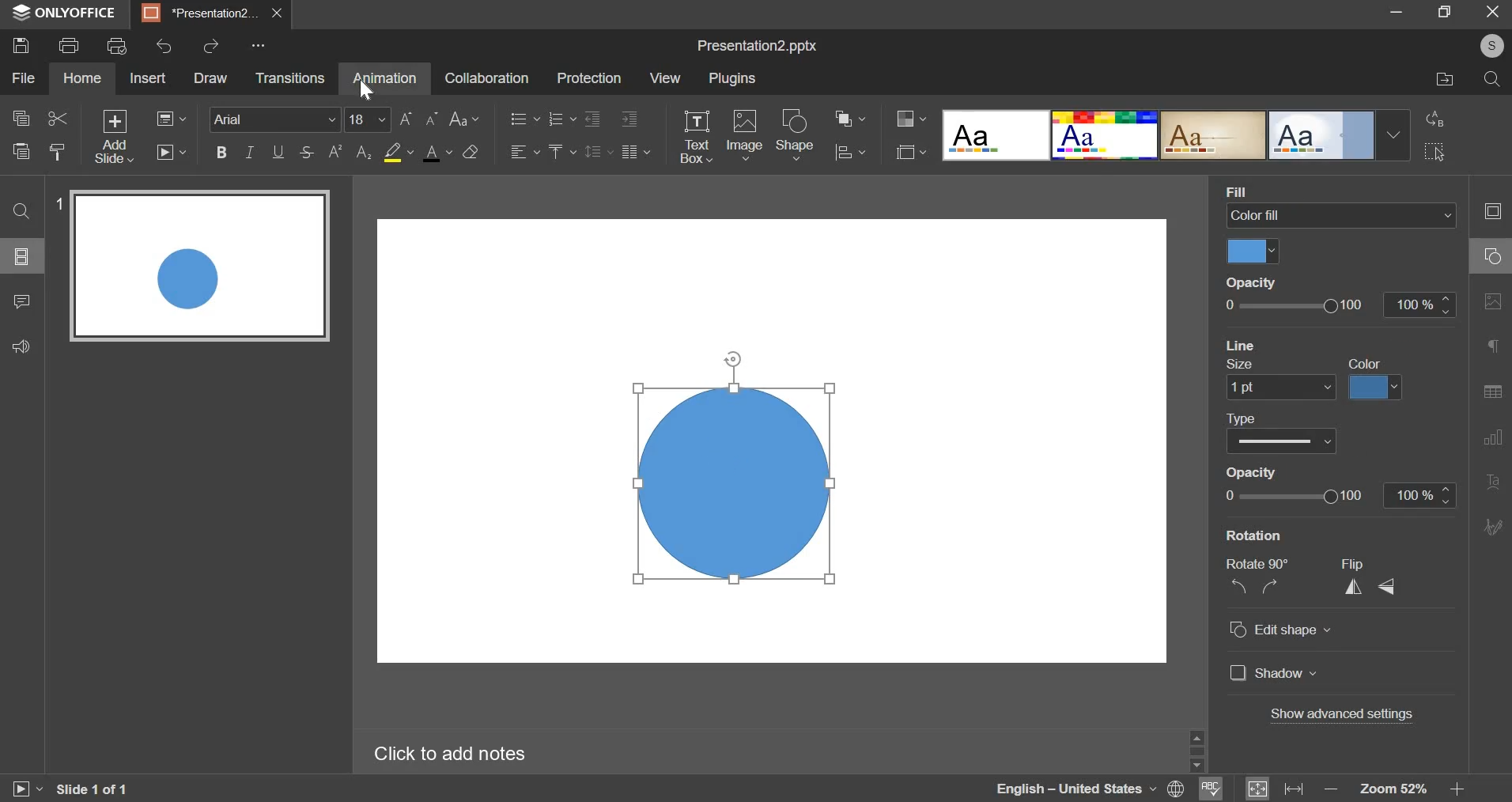 This screenshot has height=802, width=1512. What do you see at coordinates (590, 78) in the screenshot?
I see `protection` at bounding box center [590, 78].